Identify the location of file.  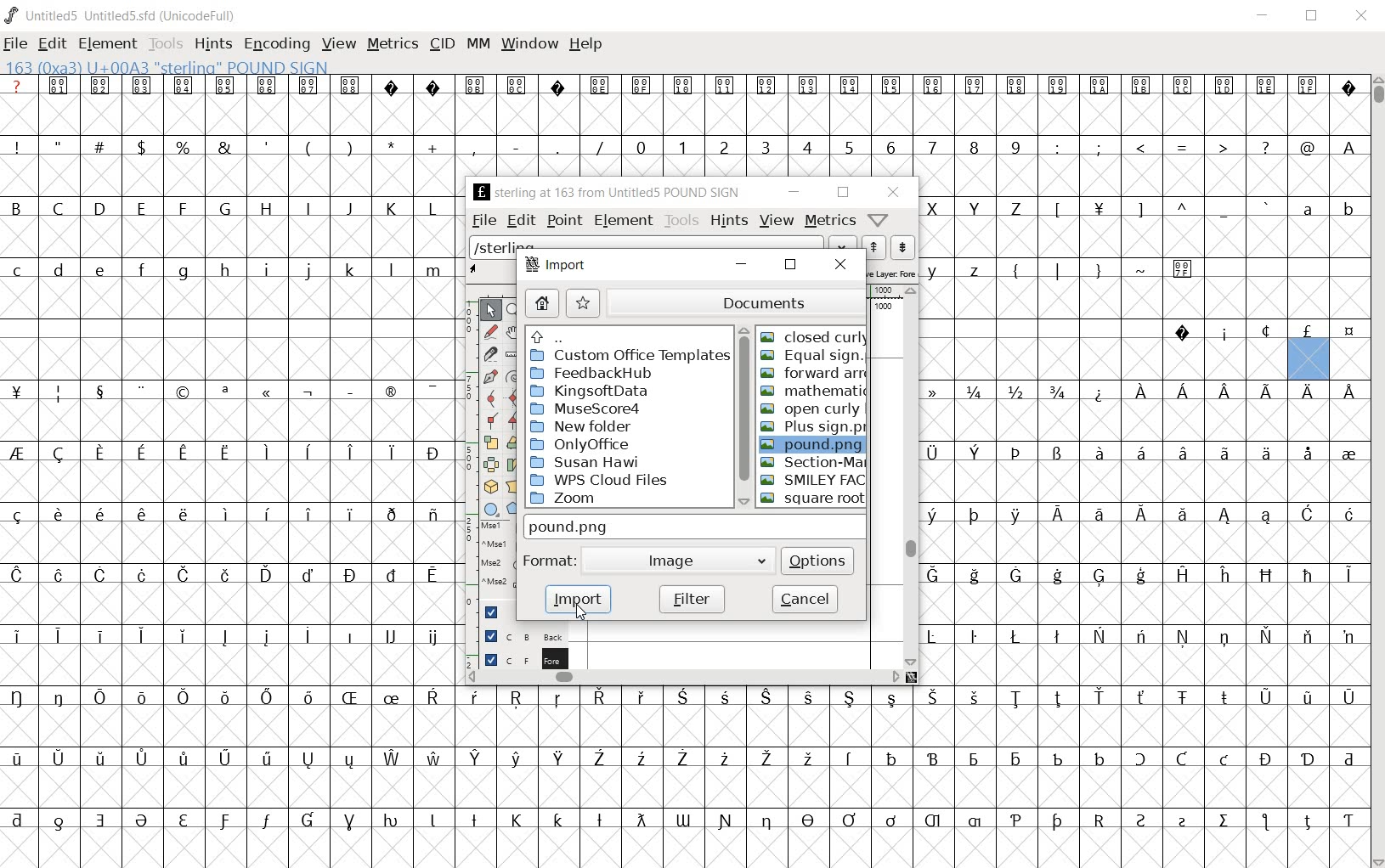
(18, 43).